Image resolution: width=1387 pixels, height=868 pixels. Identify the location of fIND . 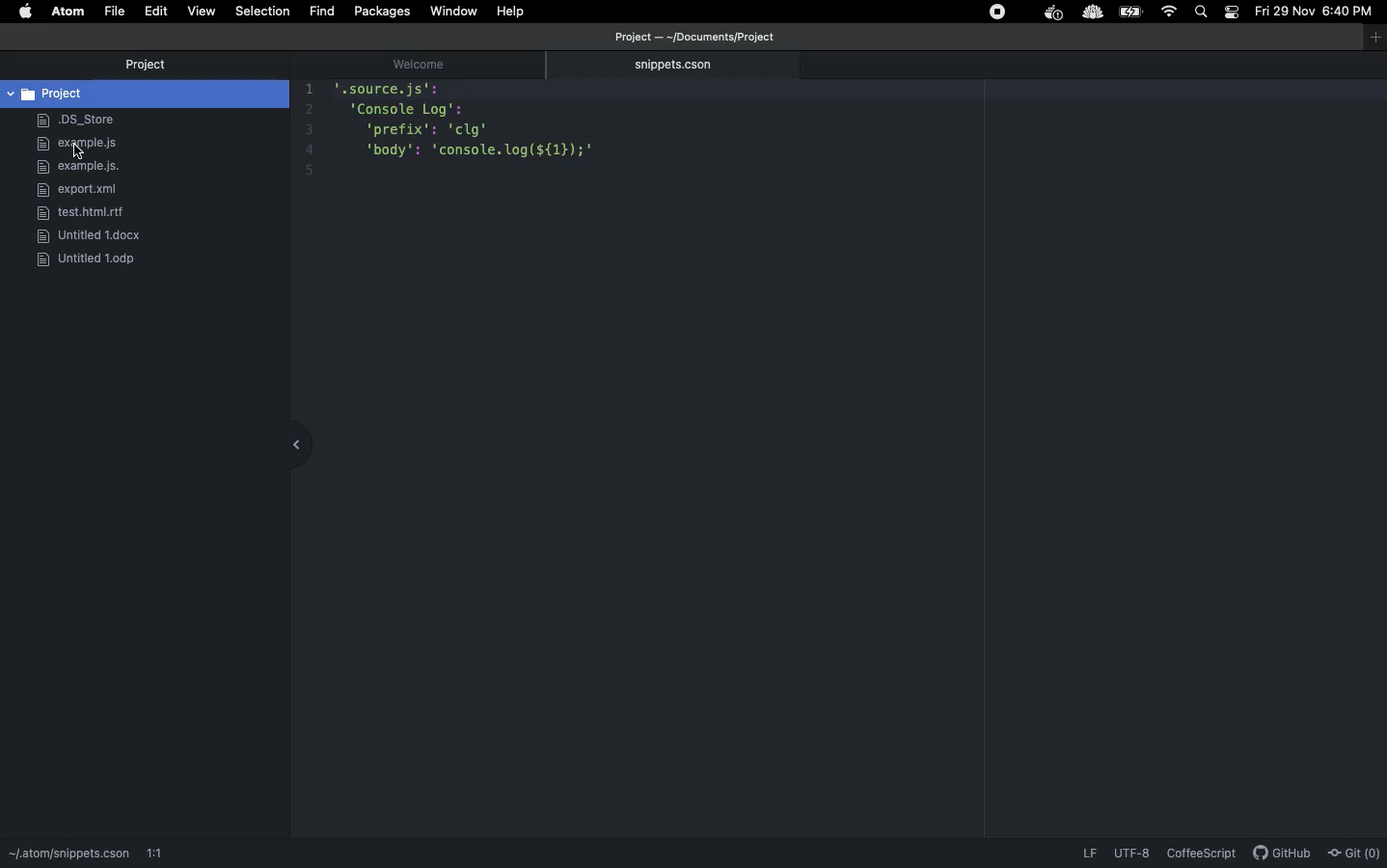
(321, 11).